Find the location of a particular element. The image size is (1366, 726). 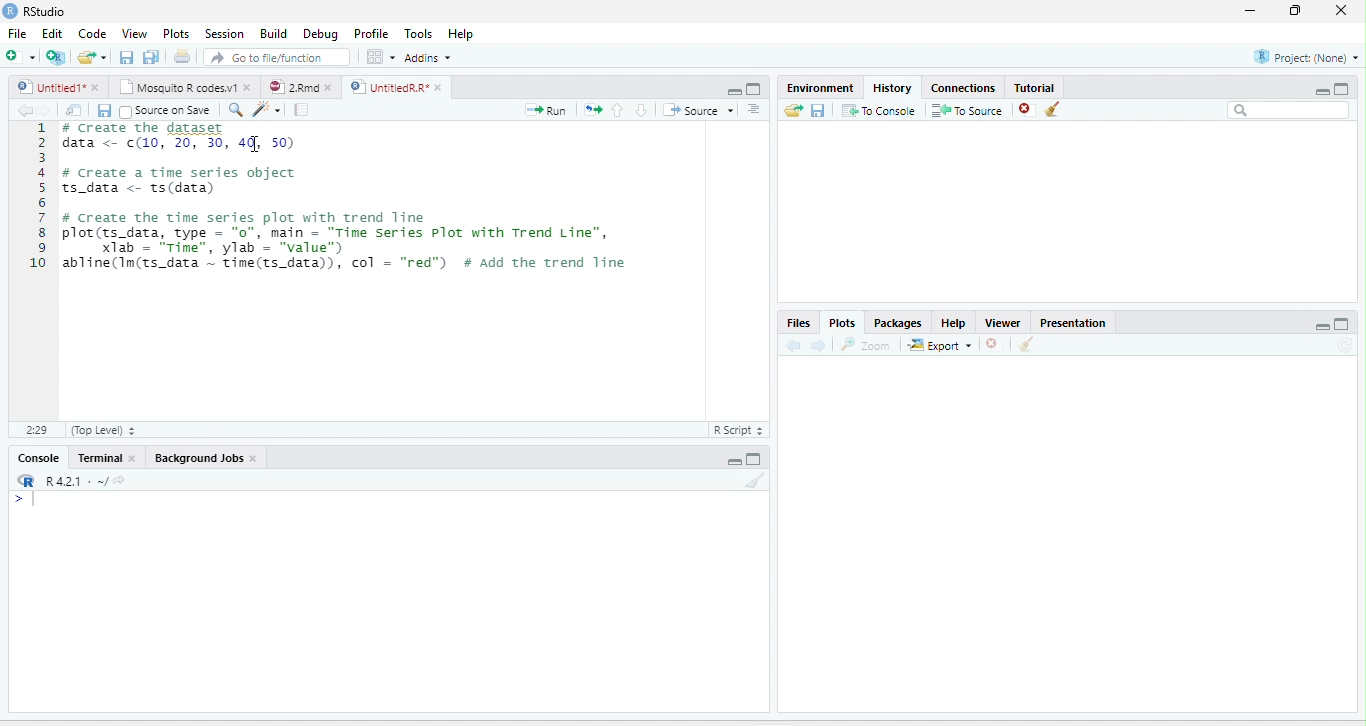

View is located at coordinates (133, 33).